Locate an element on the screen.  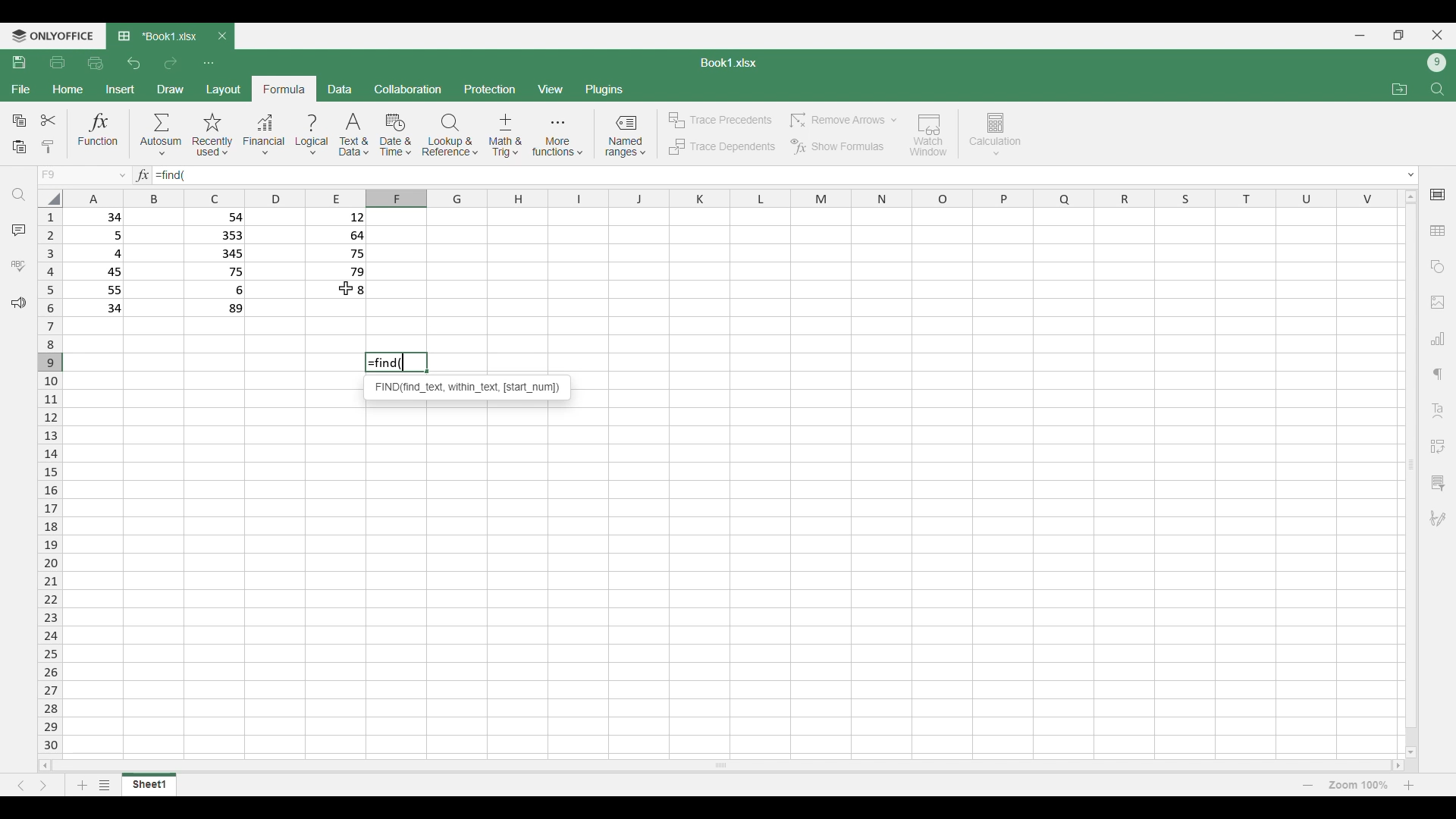
Current account is located at coordinates (1437, 63).